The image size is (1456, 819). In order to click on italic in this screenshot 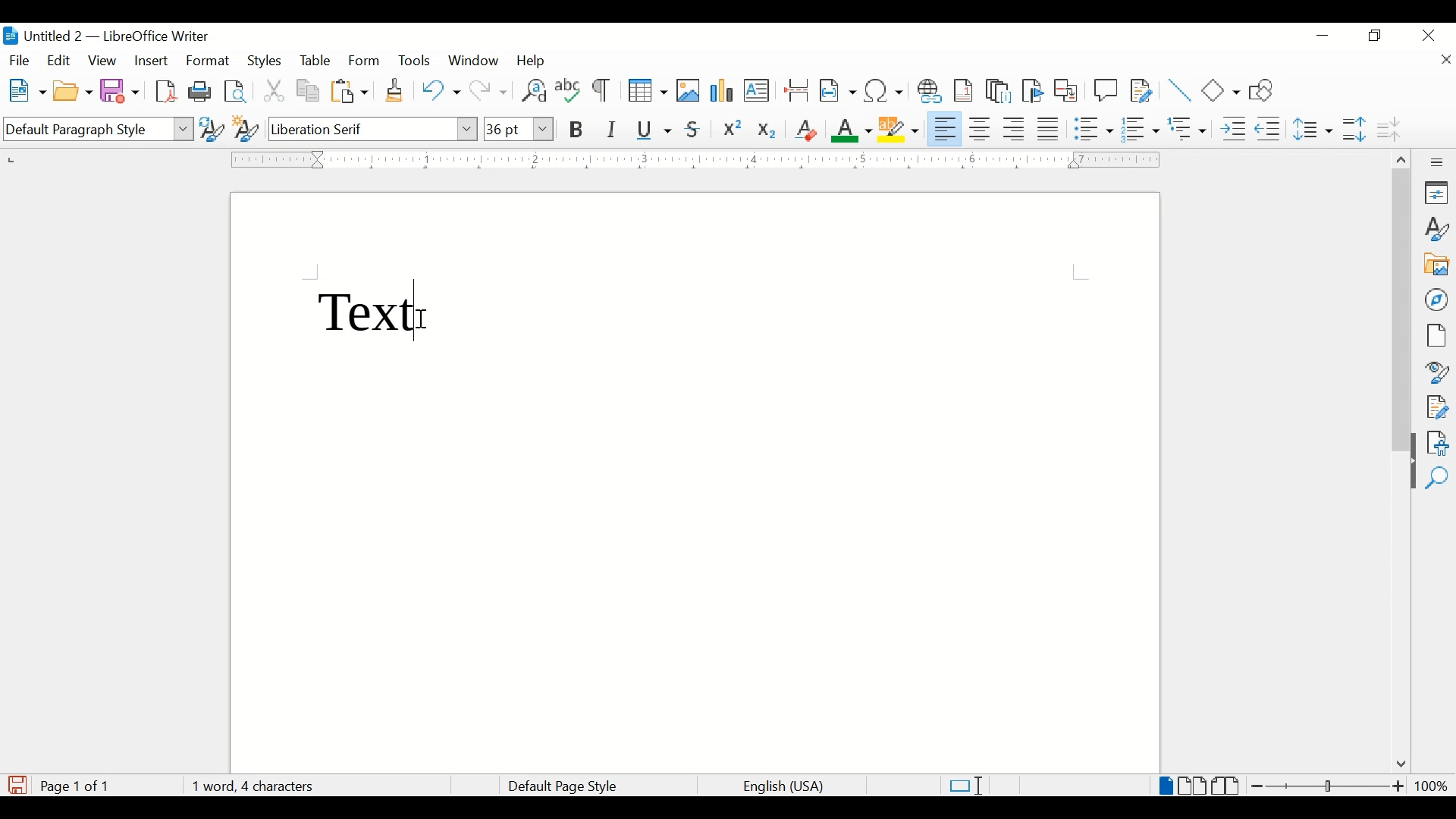, I will do `click(612, 130)`.